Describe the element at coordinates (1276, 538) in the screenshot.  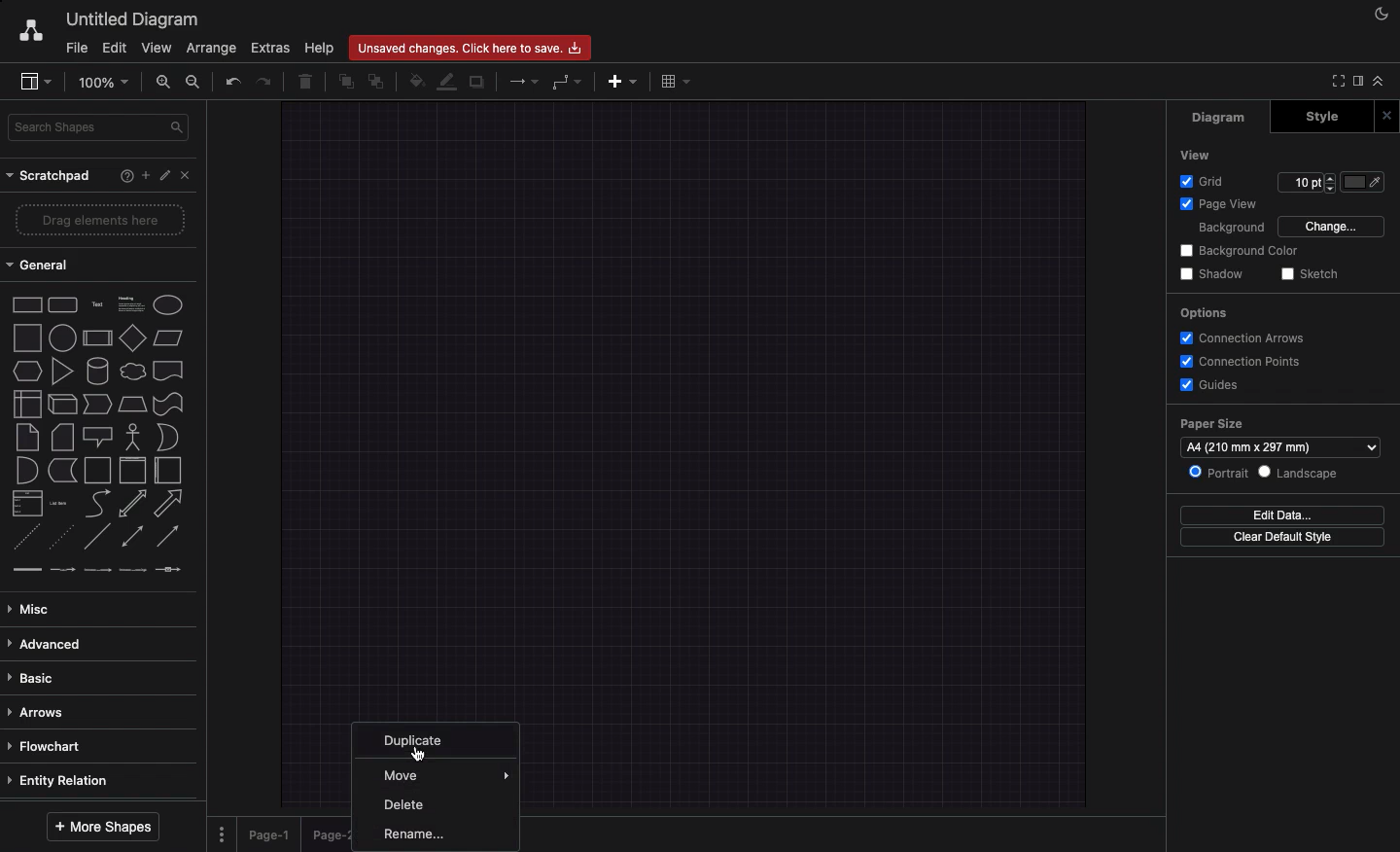
I see `Clear default style` at that location.